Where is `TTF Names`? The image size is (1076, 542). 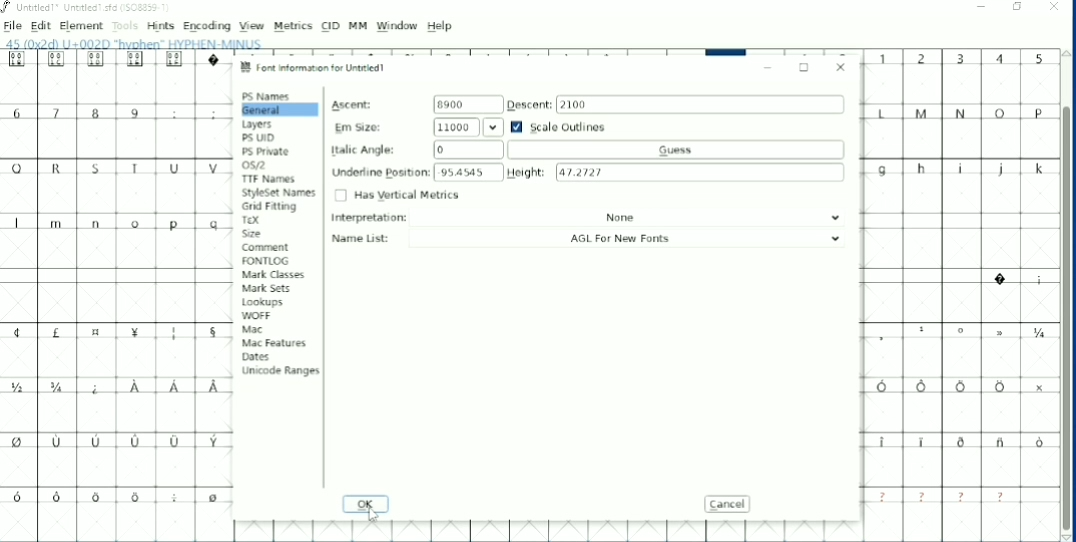
TTF Names is located at coordinates (269, 179).